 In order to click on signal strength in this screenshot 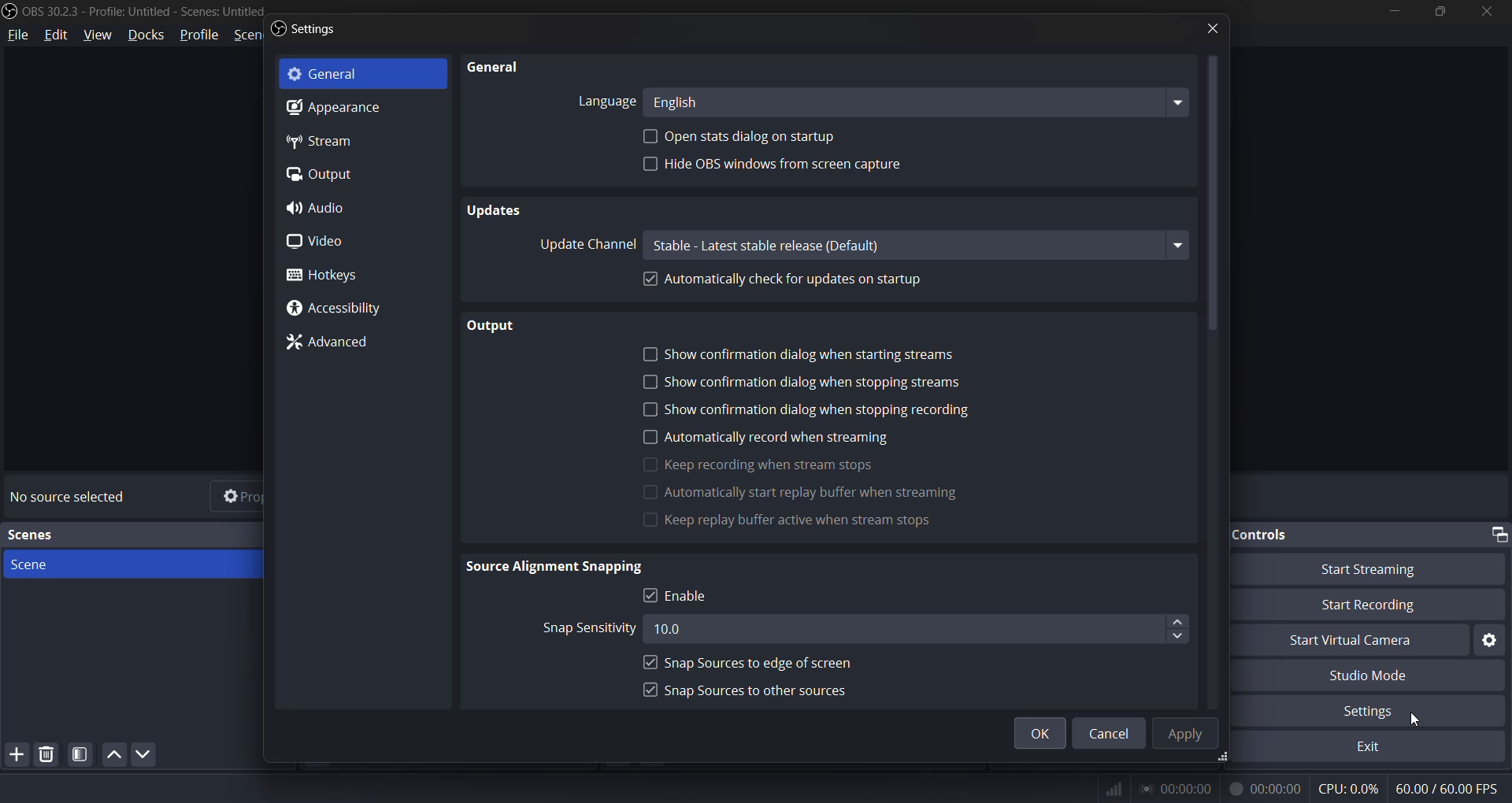, I will do `click(1114, 790)`.